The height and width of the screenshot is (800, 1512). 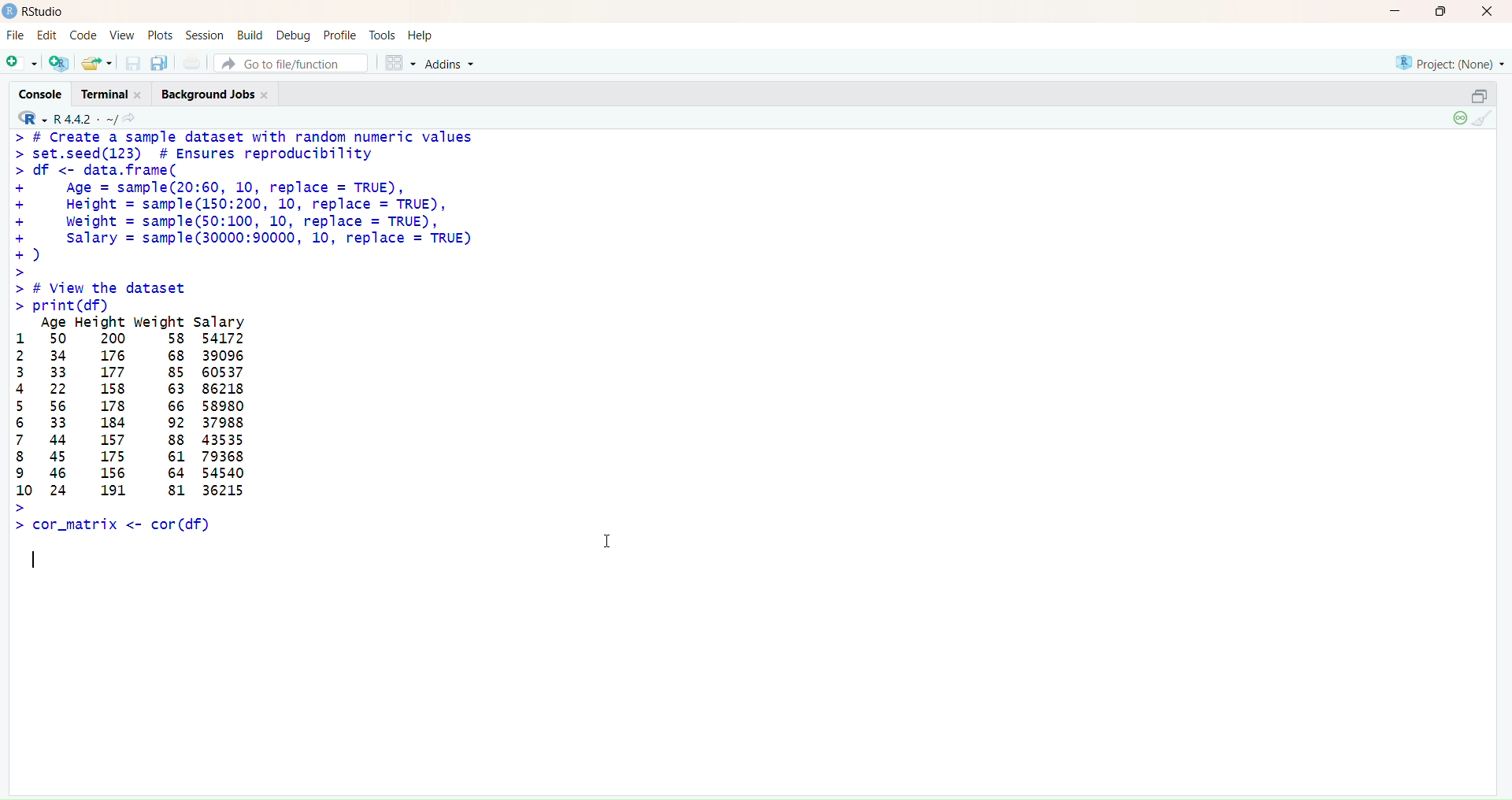 What do you see at coordinates (117, 94) in the screenshot?
I see `Terminal` at bounding box center [117, 94].